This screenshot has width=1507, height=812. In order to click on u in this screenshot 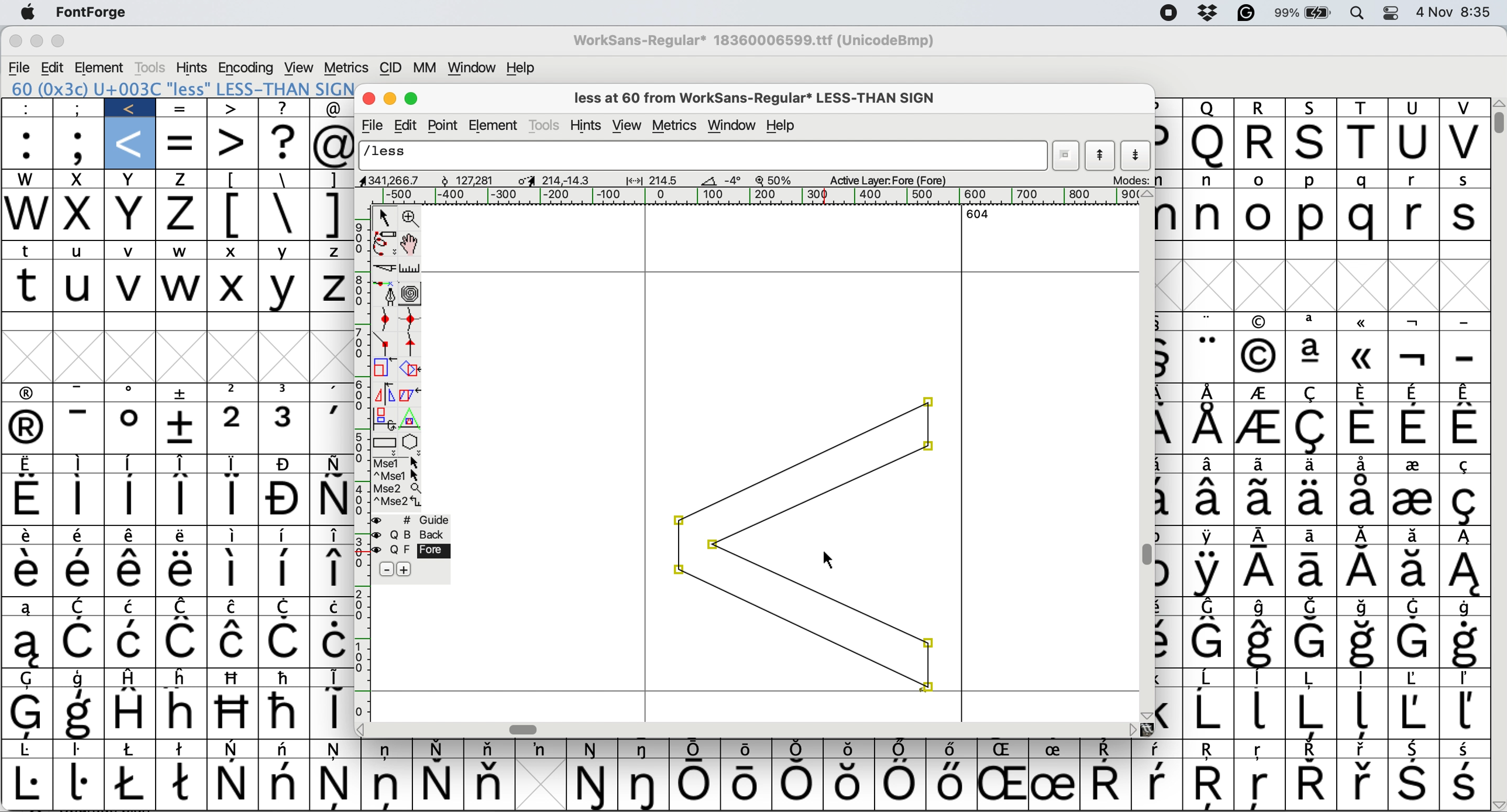, I will do `click(80, 287)`.